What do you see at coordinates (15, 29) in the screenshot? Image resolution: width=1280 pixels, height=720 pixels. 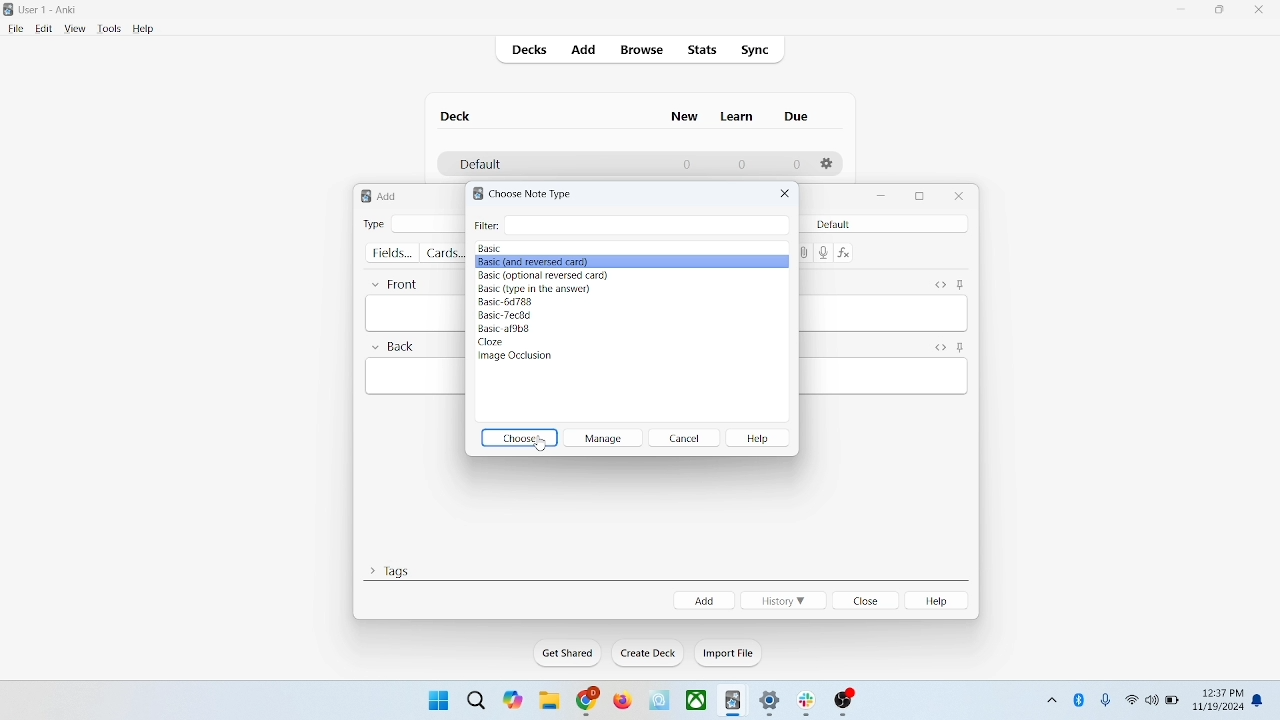 I see `file` at bounding box center [15, 29].